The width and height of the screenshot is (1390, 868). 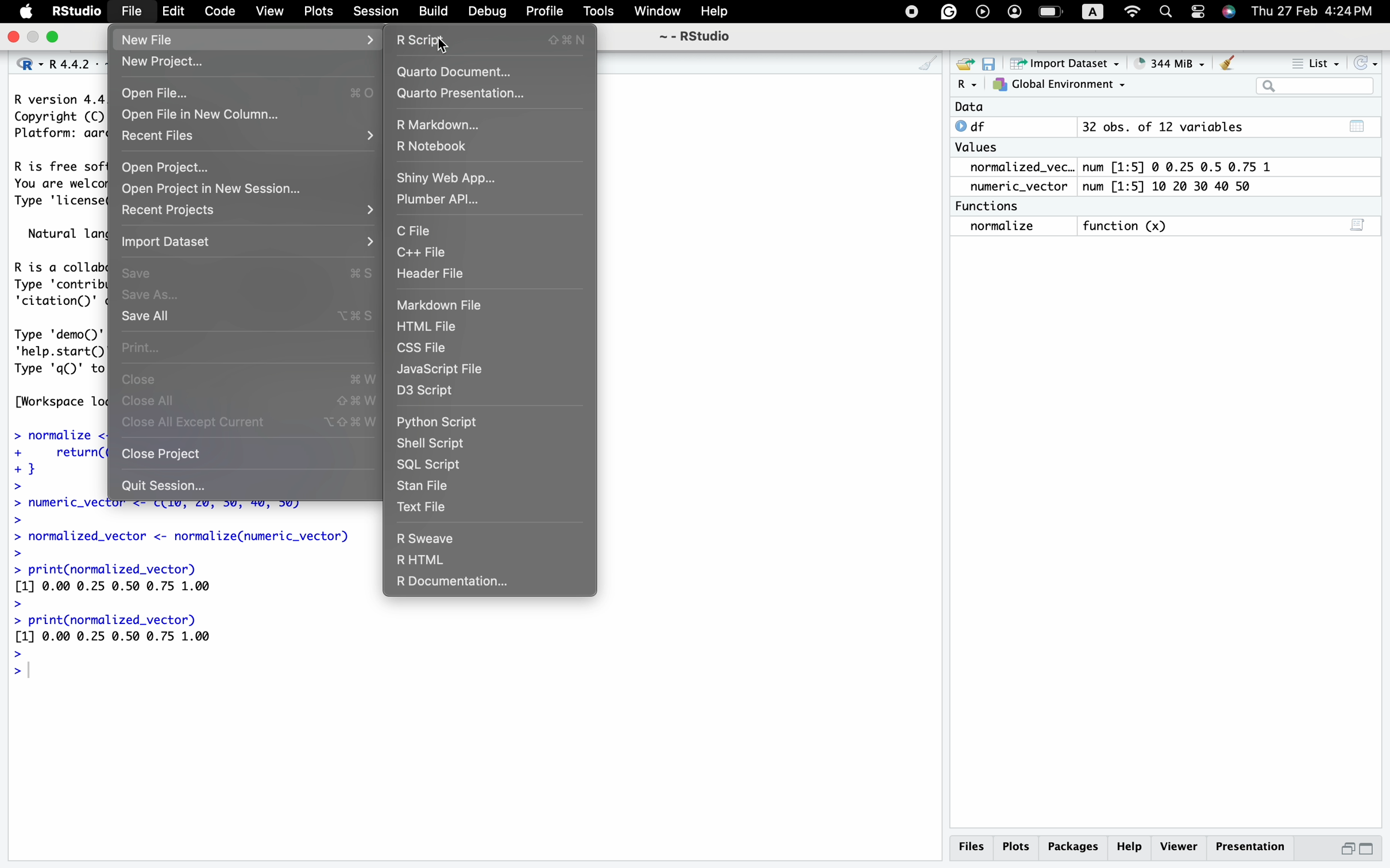 I want to click on siri, so click(x=1228, y=13).